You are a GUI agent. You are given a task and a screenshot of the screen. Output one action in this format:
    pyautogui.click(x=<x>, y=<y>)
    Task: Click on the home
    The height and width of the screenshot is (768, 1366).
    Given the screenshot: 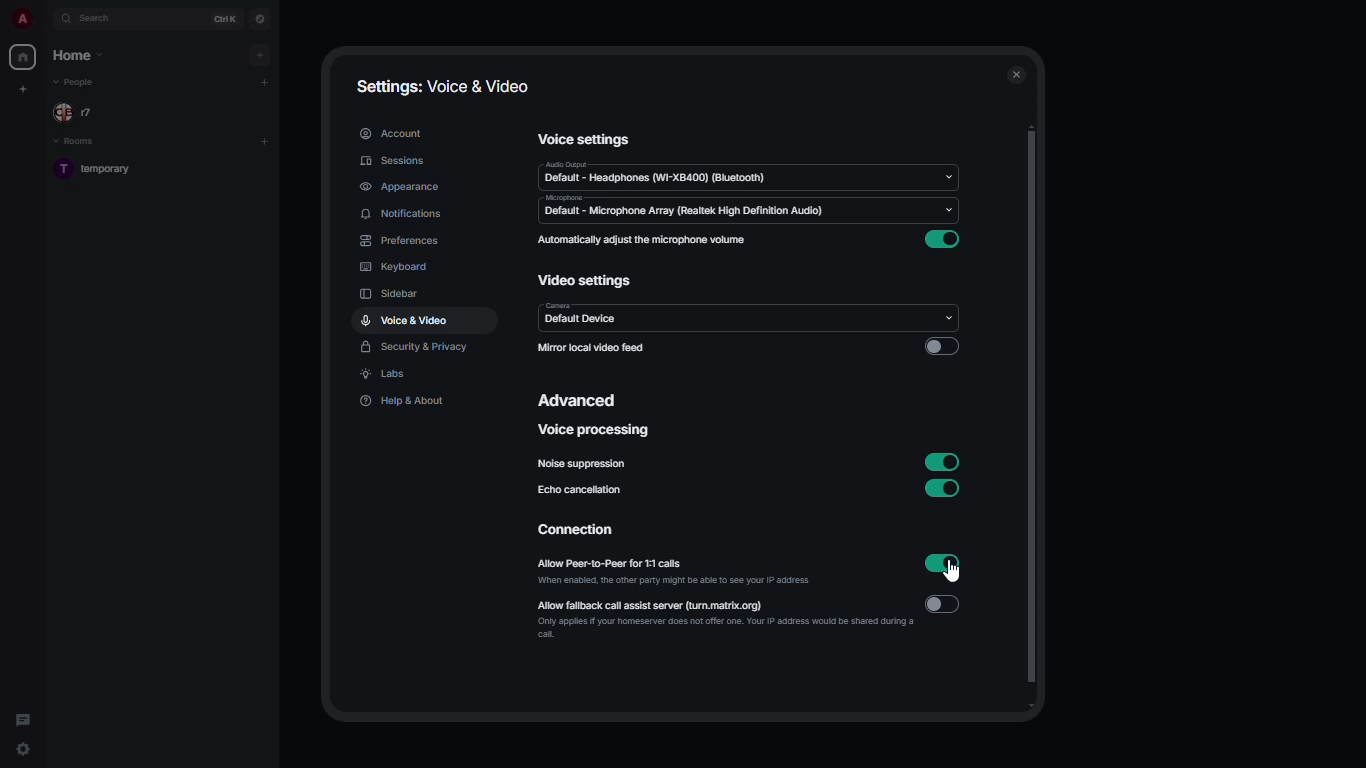 What is the action you would take?
    pyautogui.click(x=24, y=56)
    